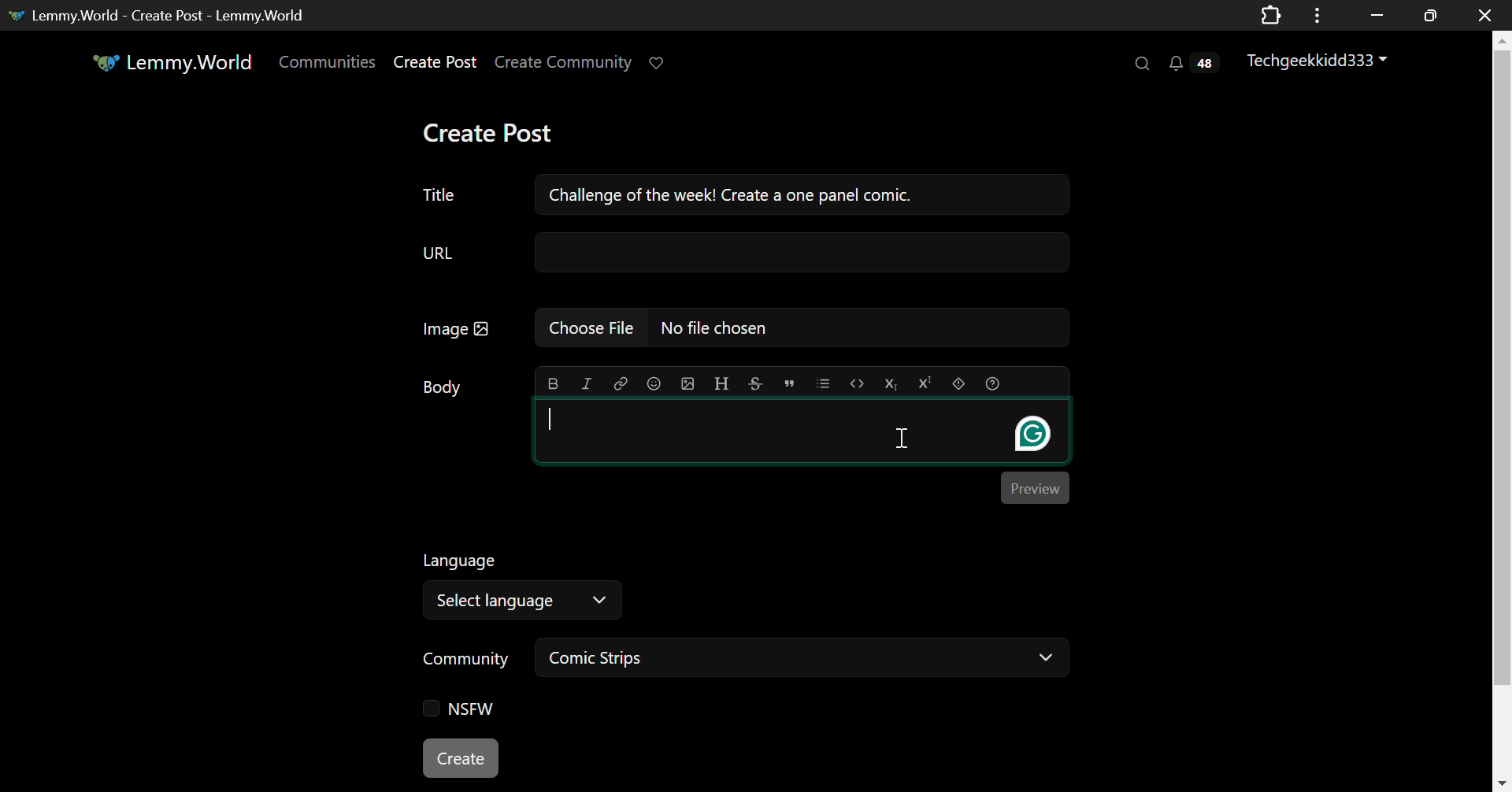 The width and height of the screenshot is (1512, 792). What do you see at coordinates (495, 132) in the screenshot?
I see `Create Post` at bounding box center [495, 132].